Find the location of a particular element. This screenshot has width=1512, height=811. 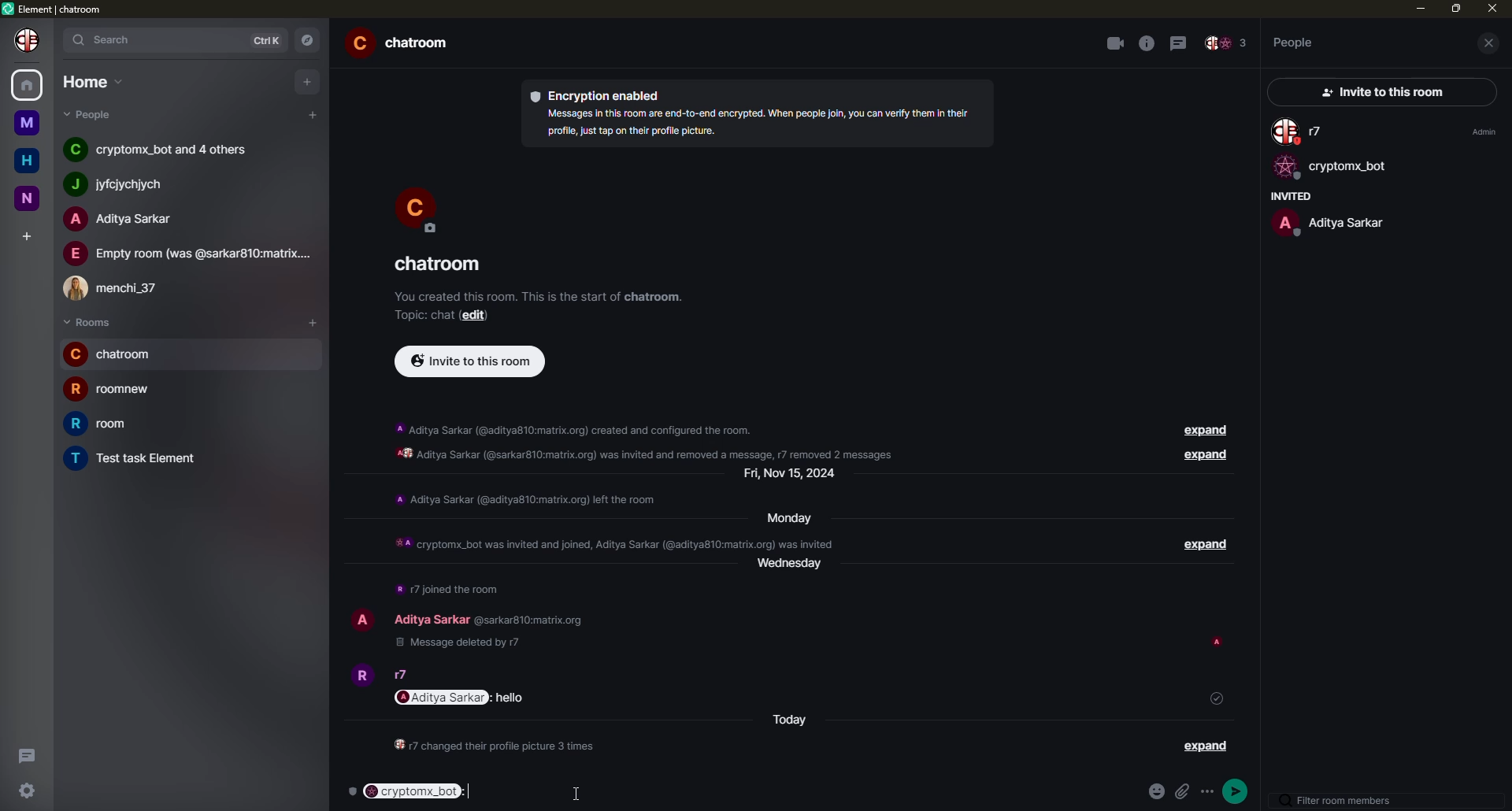

today is located at coordinates (791, 724).